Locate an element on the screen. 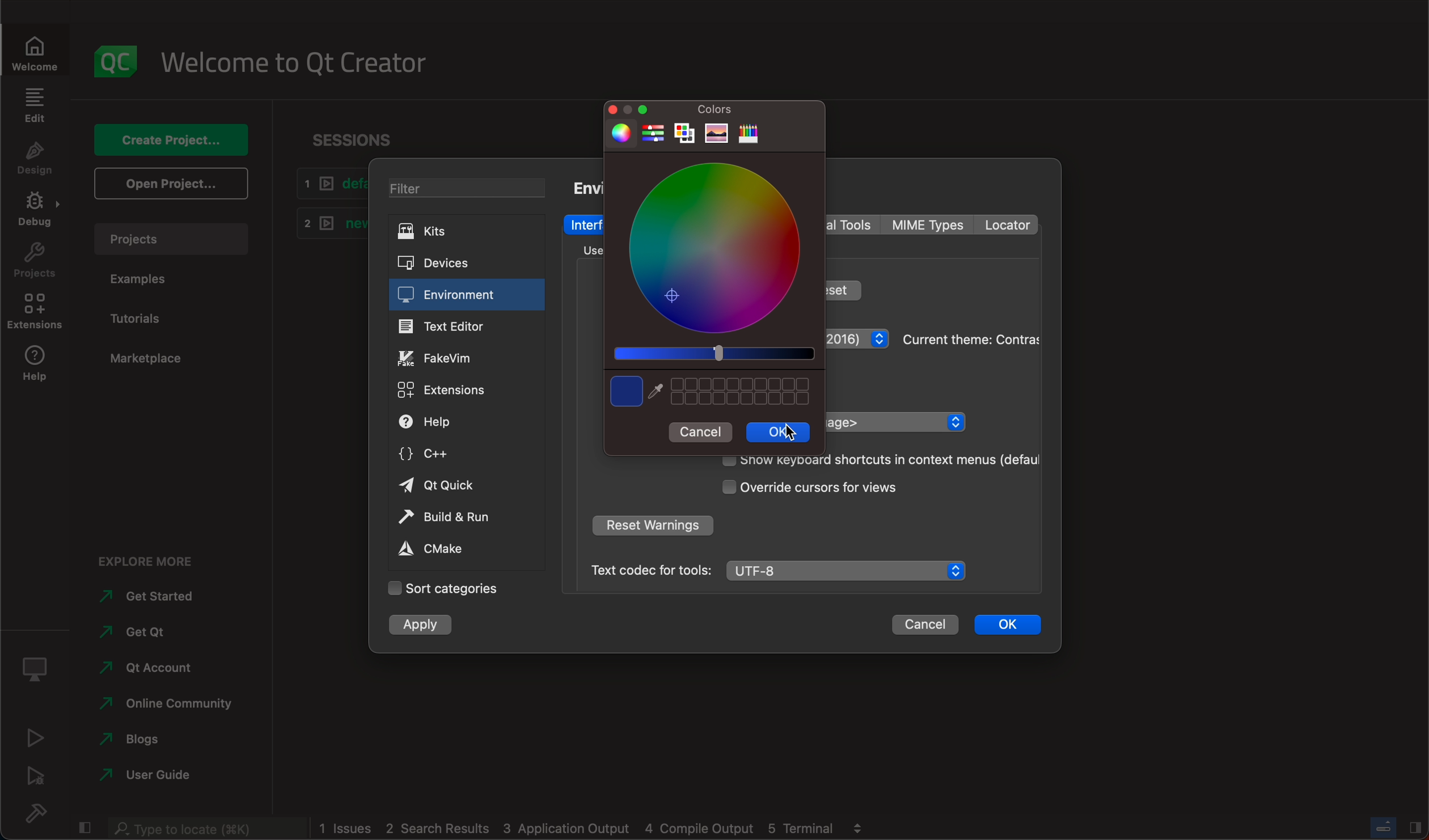 The image size is (1429, 840). close is located at coordinates (607, 108).